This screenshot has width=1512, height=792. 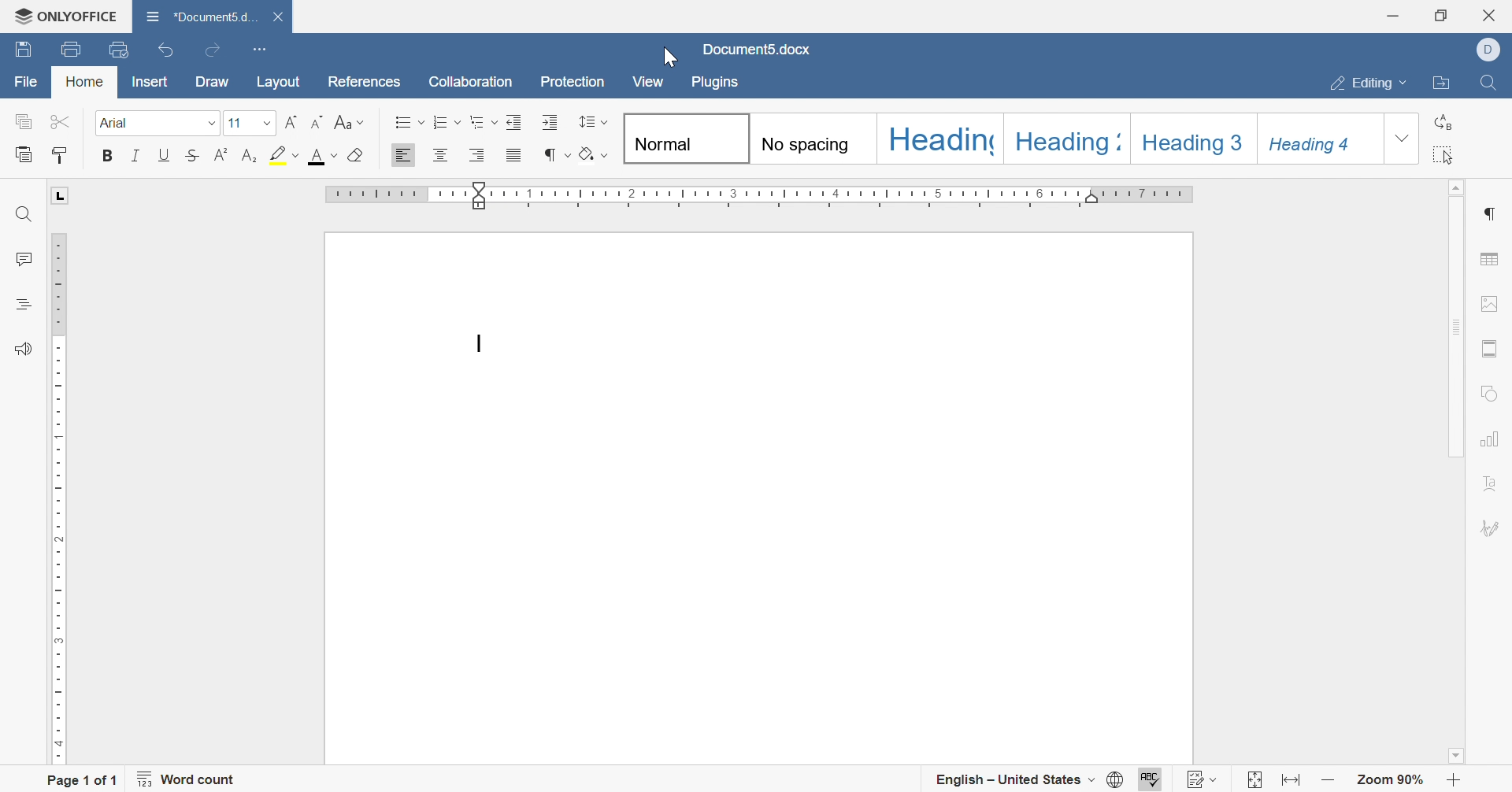 What do you see at coordinates (210, 53) in the screenshot?
I see `redo` at bounding box center [210, 53].